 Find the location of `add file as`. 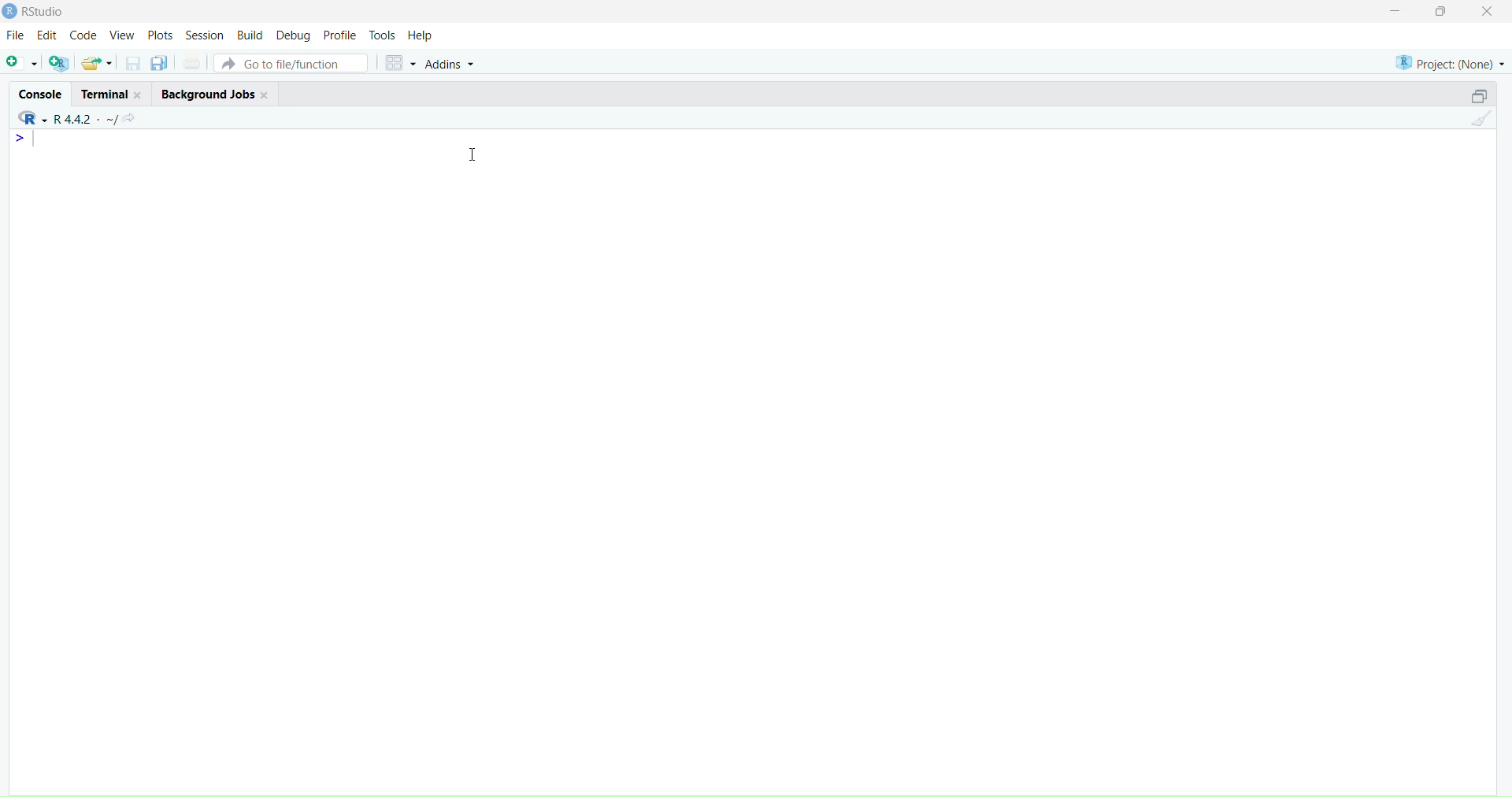

add file as is located at coordinates (22, 64).